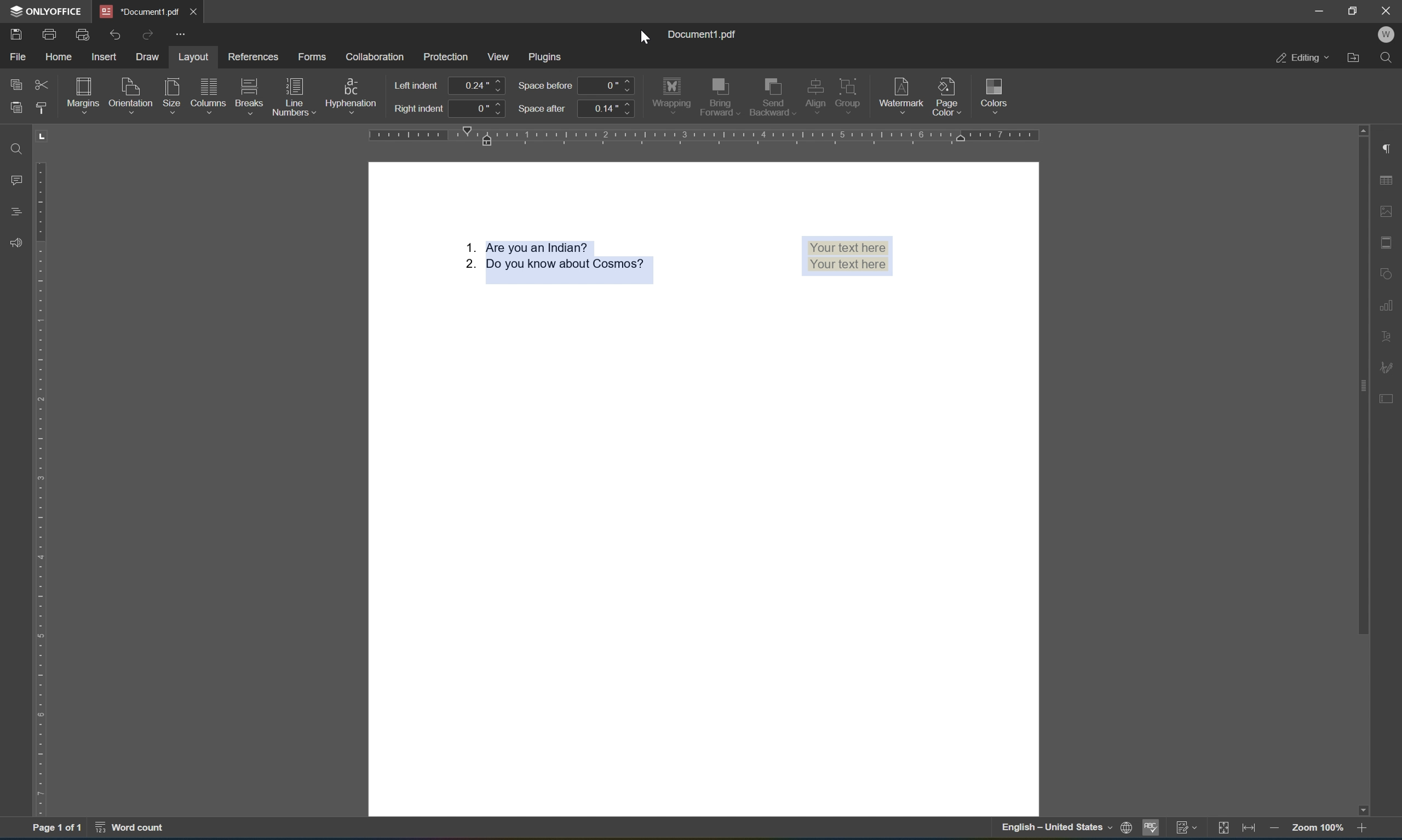  What do you see at coordinates (994, 94) in the screenshot?
I see `colors` at bounding box center [994, 94].